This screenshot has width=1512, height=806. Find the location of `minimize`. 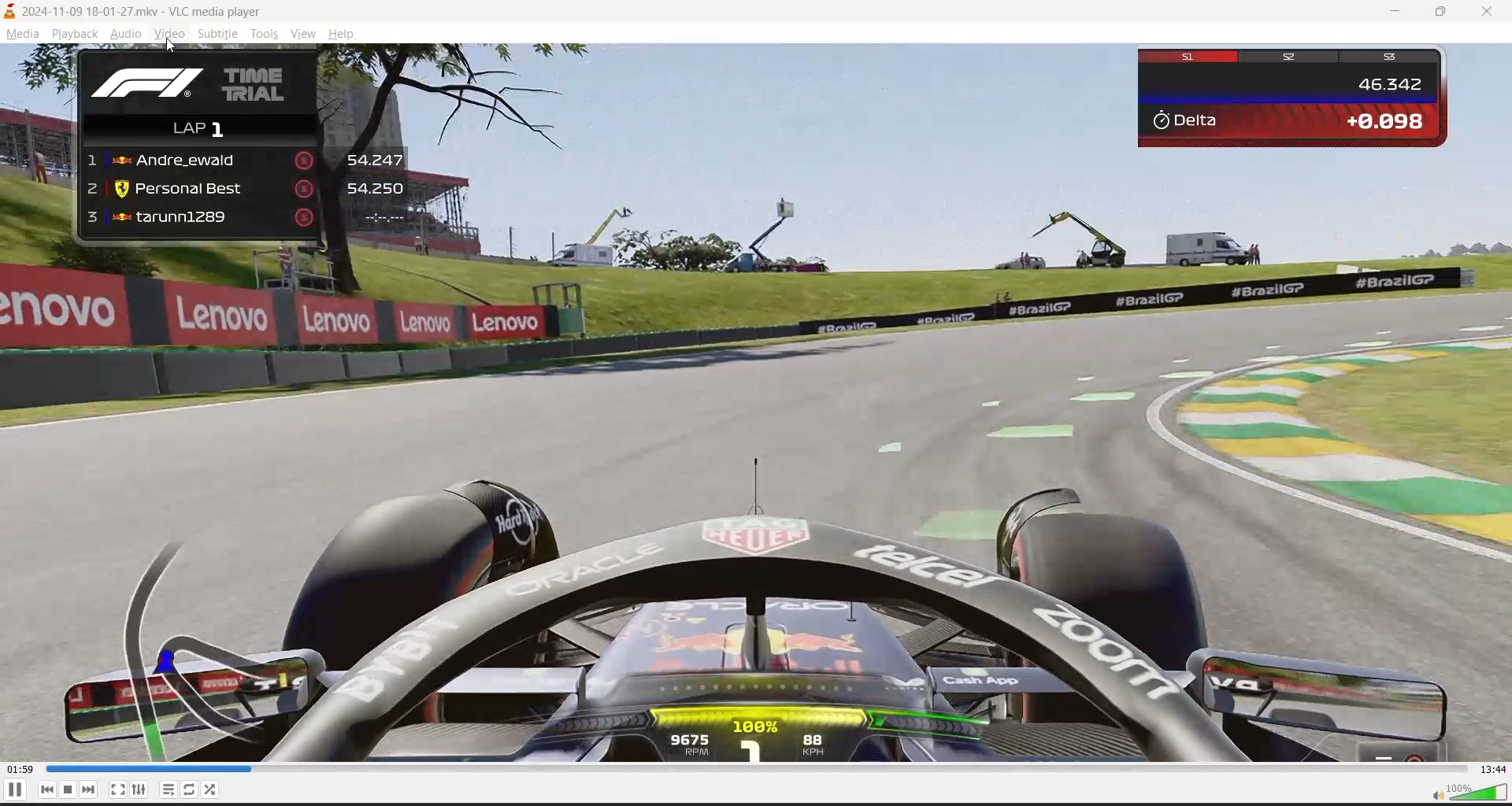

minimize is located at coordinates (1399, 13).